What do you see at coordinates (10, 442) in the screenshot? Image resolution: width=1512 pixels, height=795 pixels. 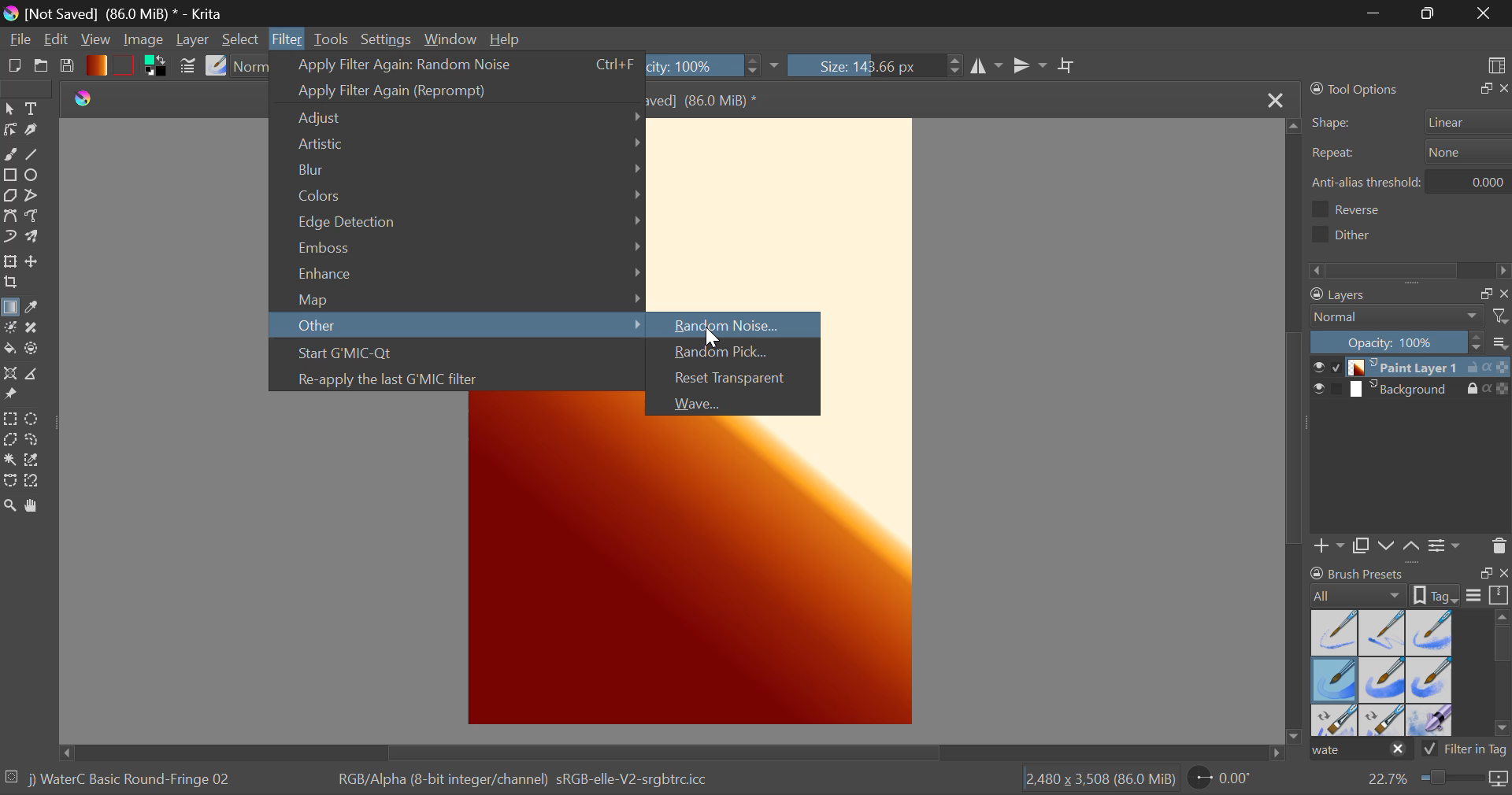 I see `Polygon Selection` at bounding box center [10, 442].